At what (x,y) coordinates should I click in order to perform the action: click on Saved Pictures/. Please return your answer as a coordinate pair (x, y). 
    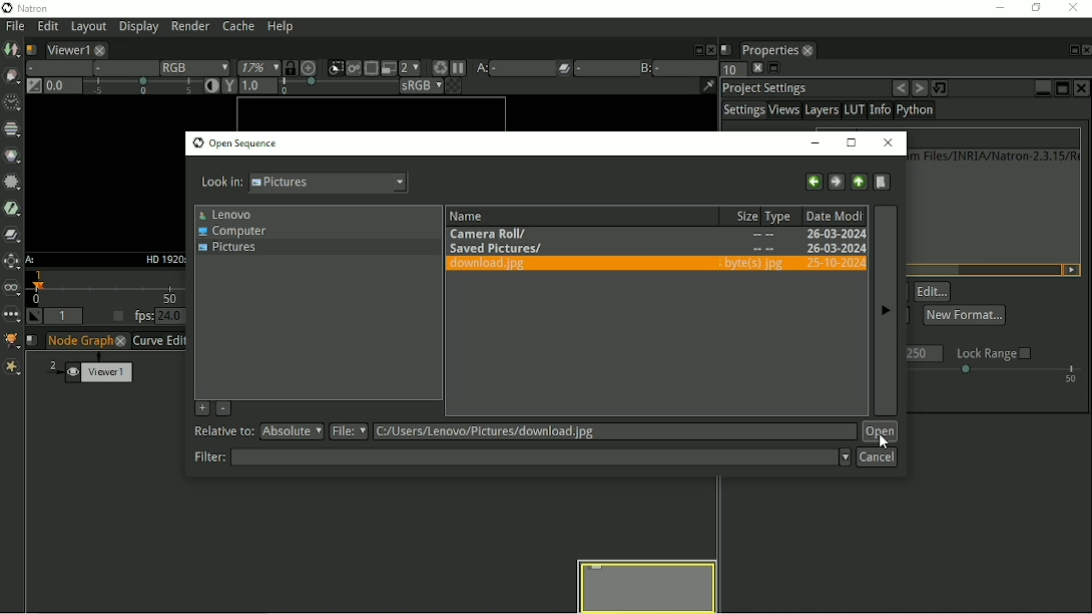
    Looking at the image, I should click on (496, 247).